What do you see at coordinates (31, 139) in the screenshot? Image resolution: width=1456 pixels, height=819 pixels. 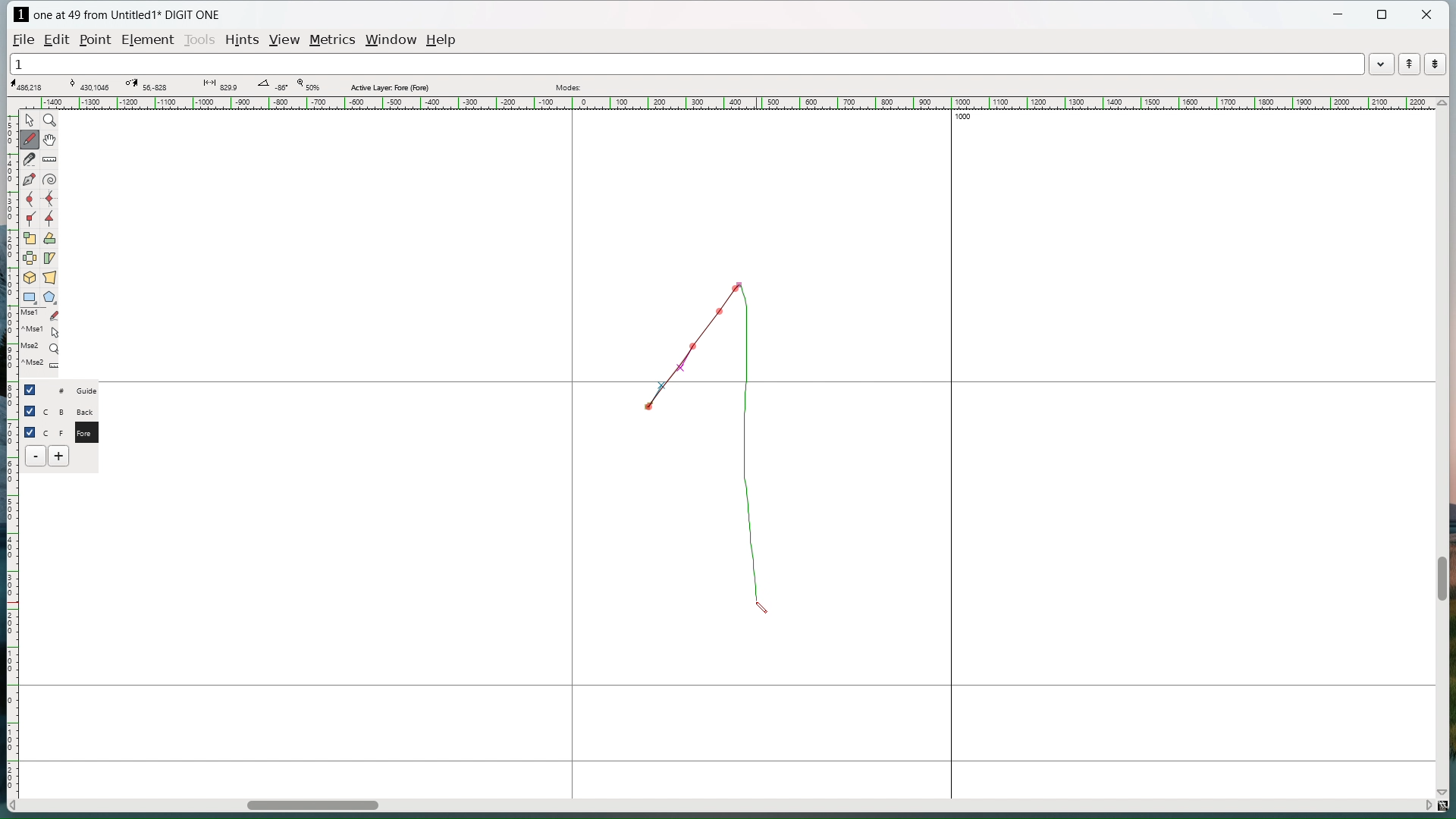 I see `draw freehand curve ` at bounding box center [31, 139].